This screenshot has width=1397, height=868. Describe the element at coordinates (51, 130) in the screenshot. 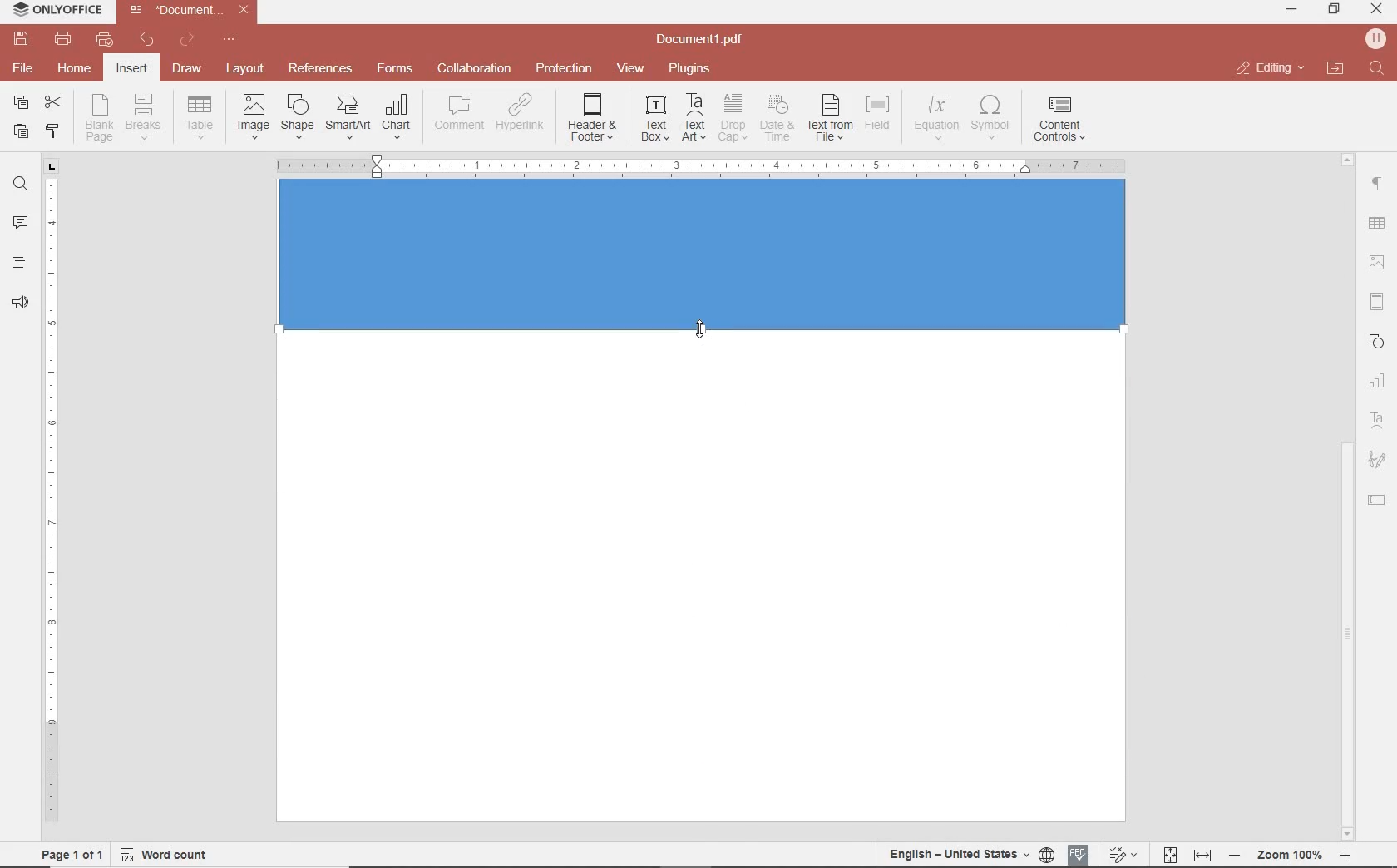

I see `copy style` at that location.